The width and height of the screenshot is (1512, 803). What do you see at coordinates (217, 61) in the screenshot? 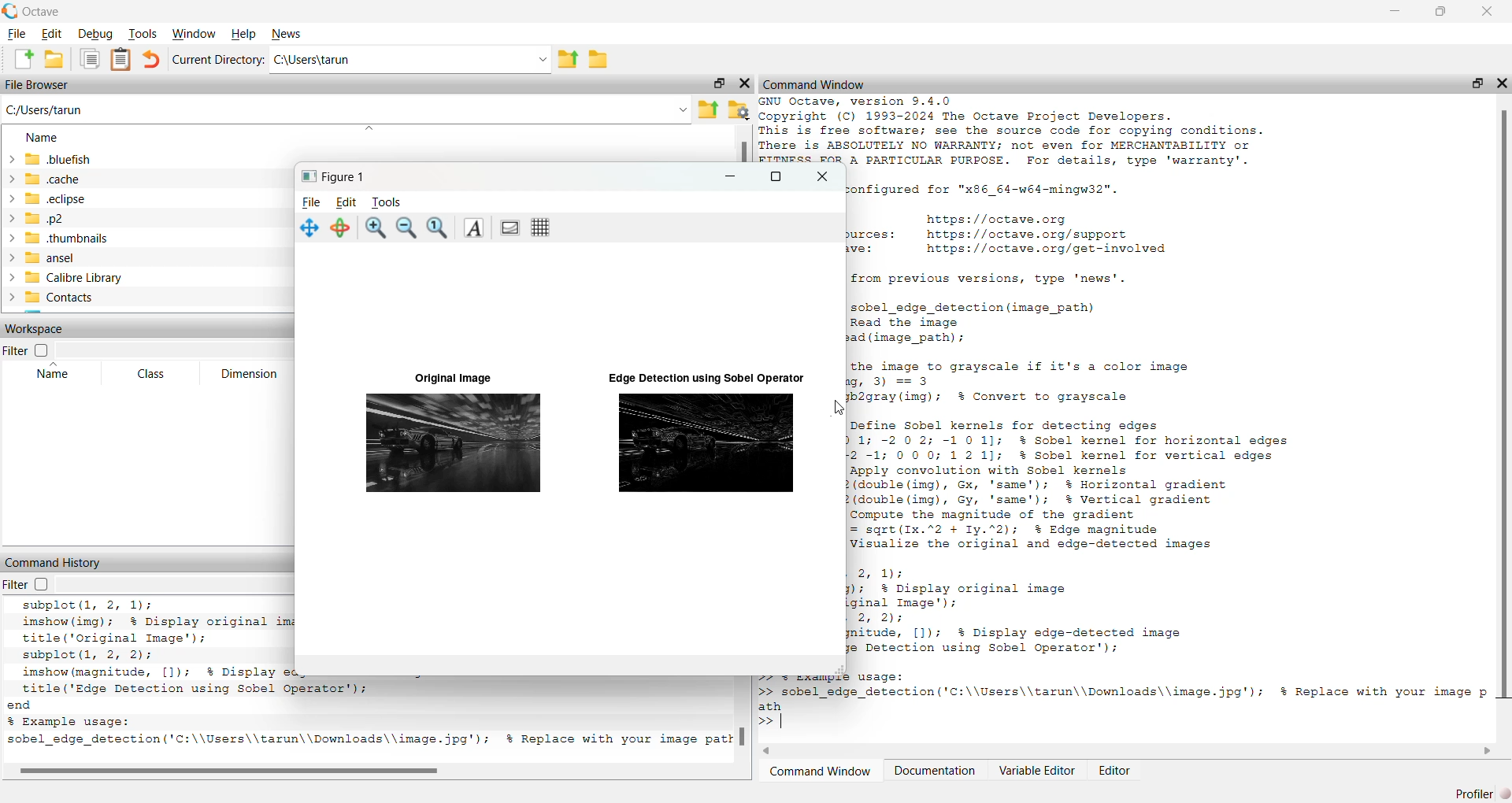
I see `Current Directory:` at bounding box center [217, 61].